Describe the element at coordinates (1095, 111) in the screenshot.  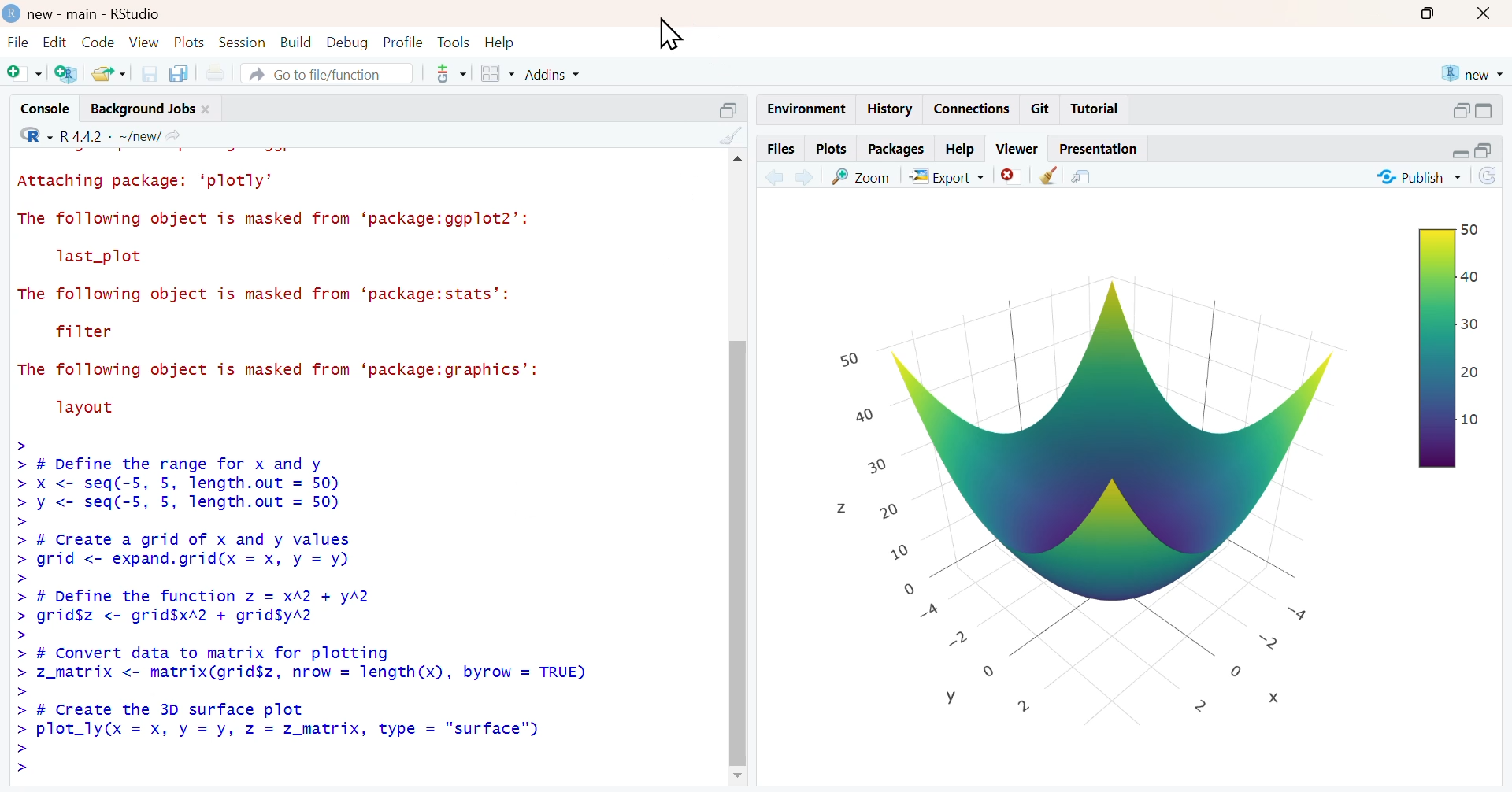
I see `tutorial` at that location.